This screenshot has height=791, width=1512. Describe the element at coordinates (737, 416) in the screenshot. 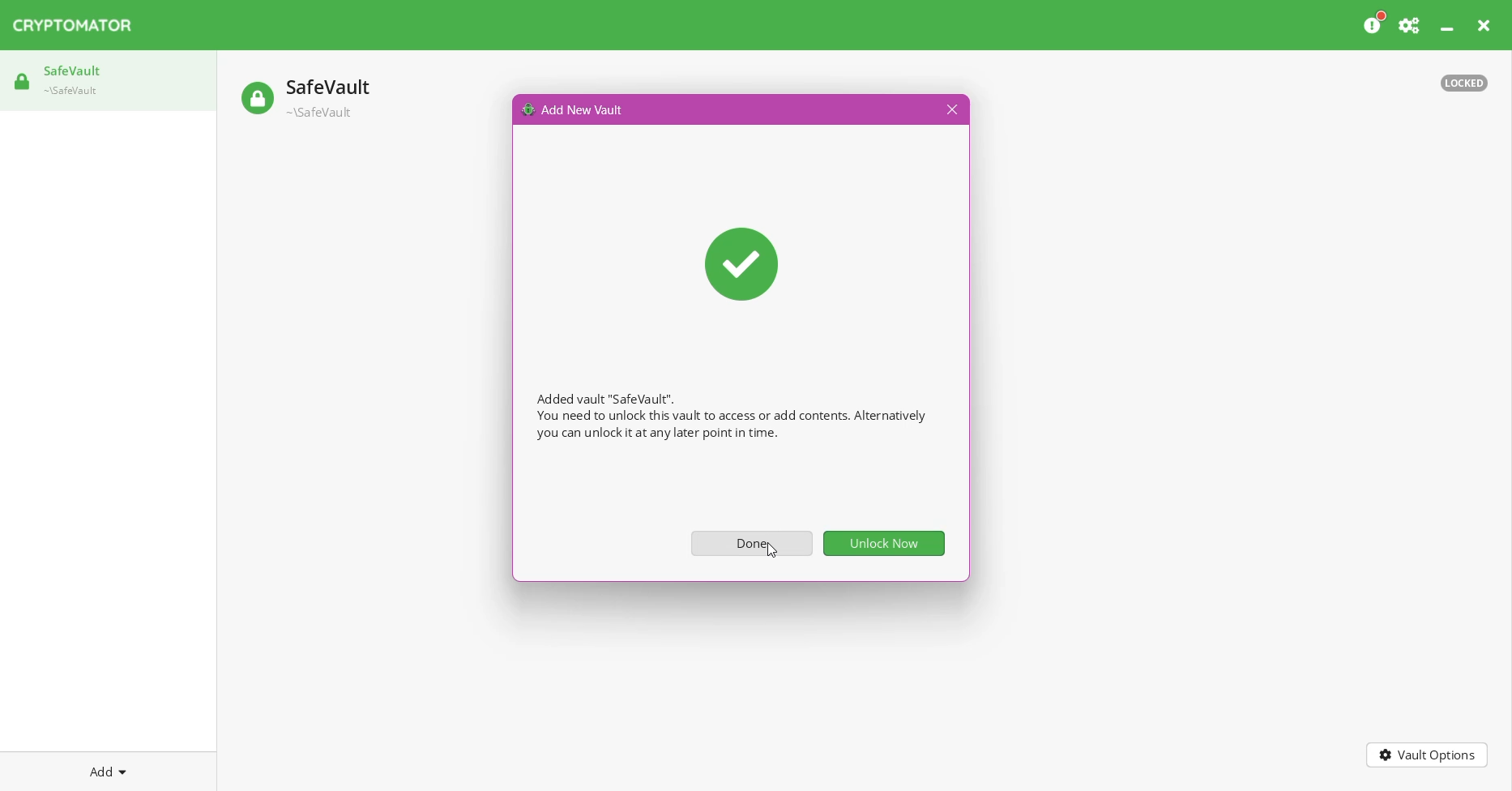

I see `Added vault "SafeVault".
You need to unlock this vault to access or add contents. Alternatively
you can unlockiit at any later point in time.` at that location.